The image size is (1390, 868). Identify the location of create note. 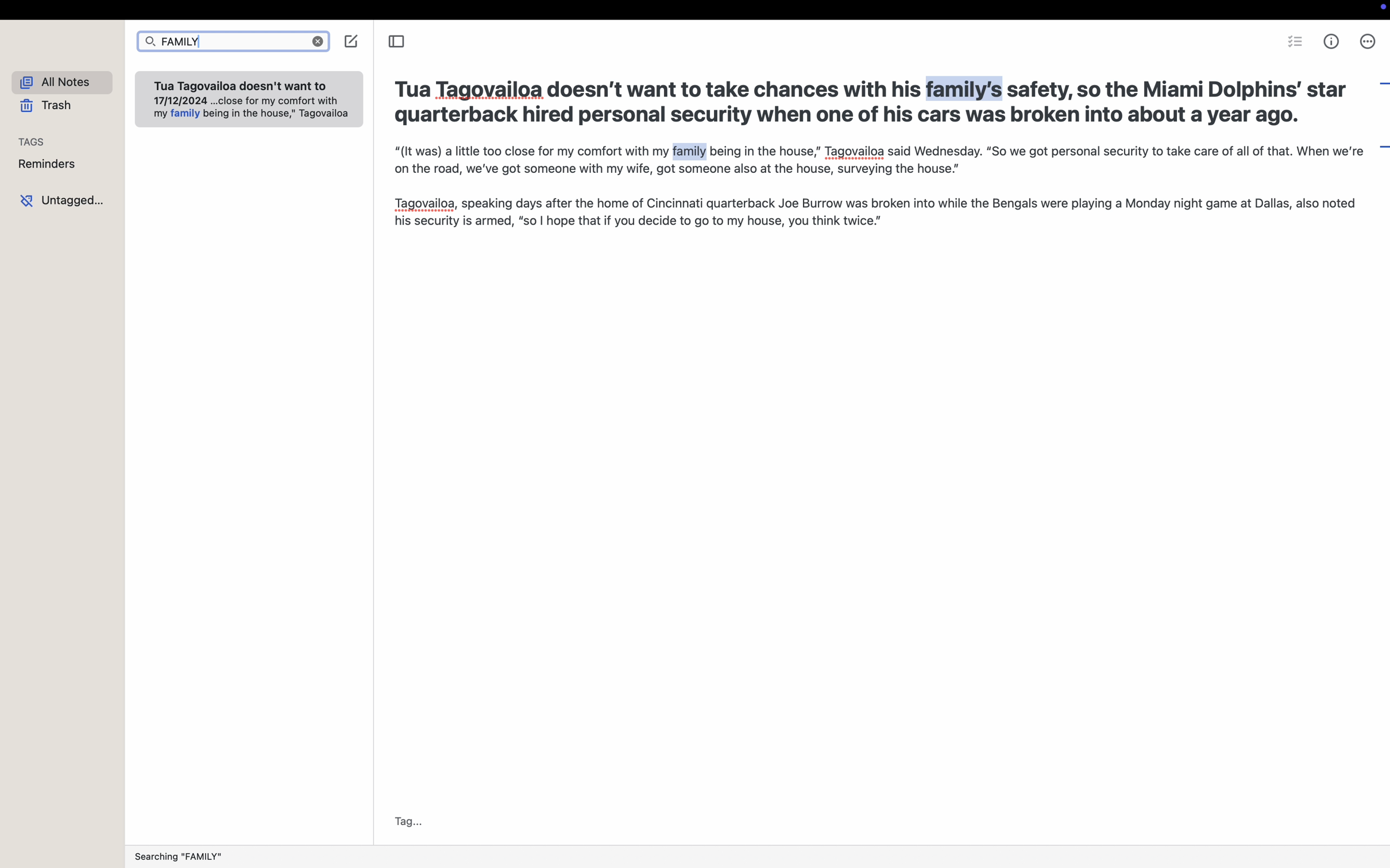
(352, 41).